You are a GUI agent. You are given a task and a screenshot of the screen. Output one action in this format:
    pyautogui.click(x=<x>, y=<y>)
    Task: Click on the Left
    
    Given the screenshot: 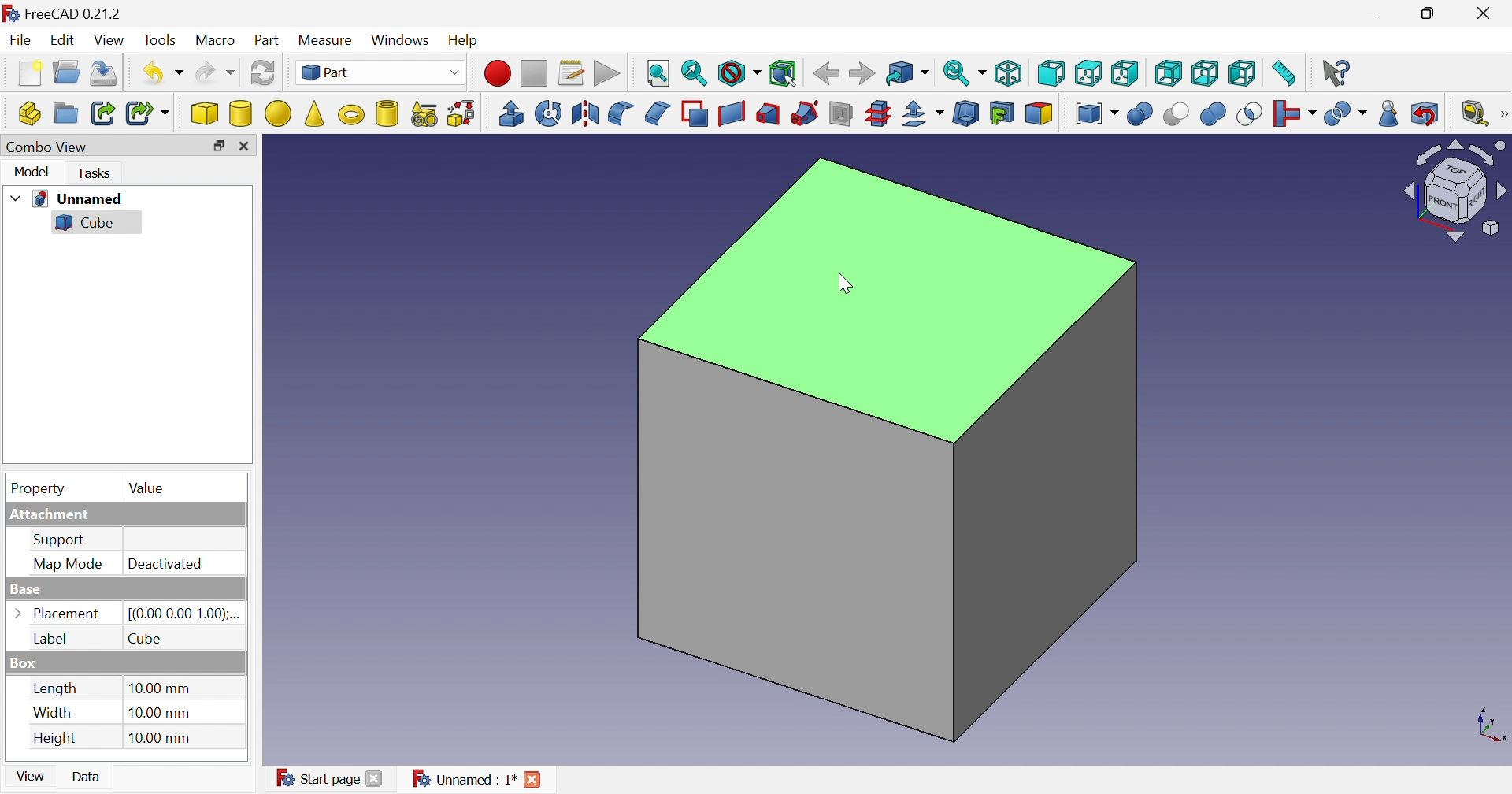 What is the action you would take?
    pyautogui.click(x=1243, y=74)
    